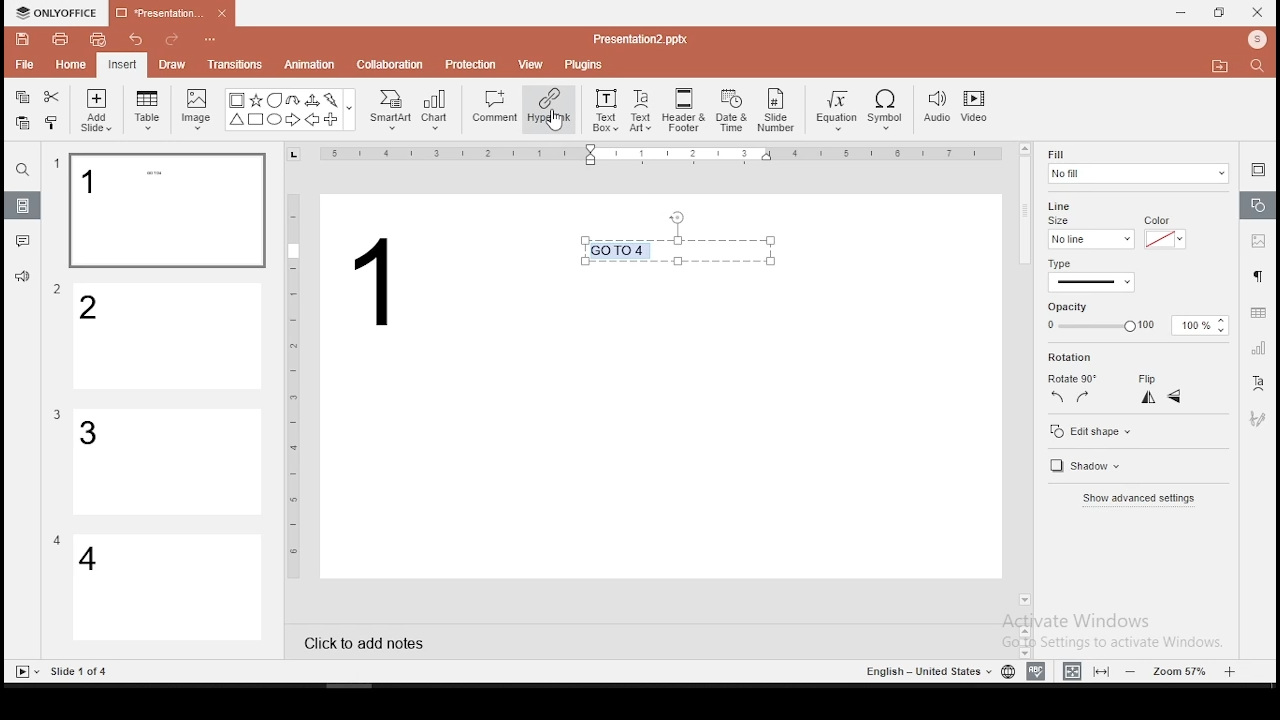 Image resolution: width=1280 pixels, height=720 pixels. I want to click on rotate 90 counterclockwise, so click(1058, 396).